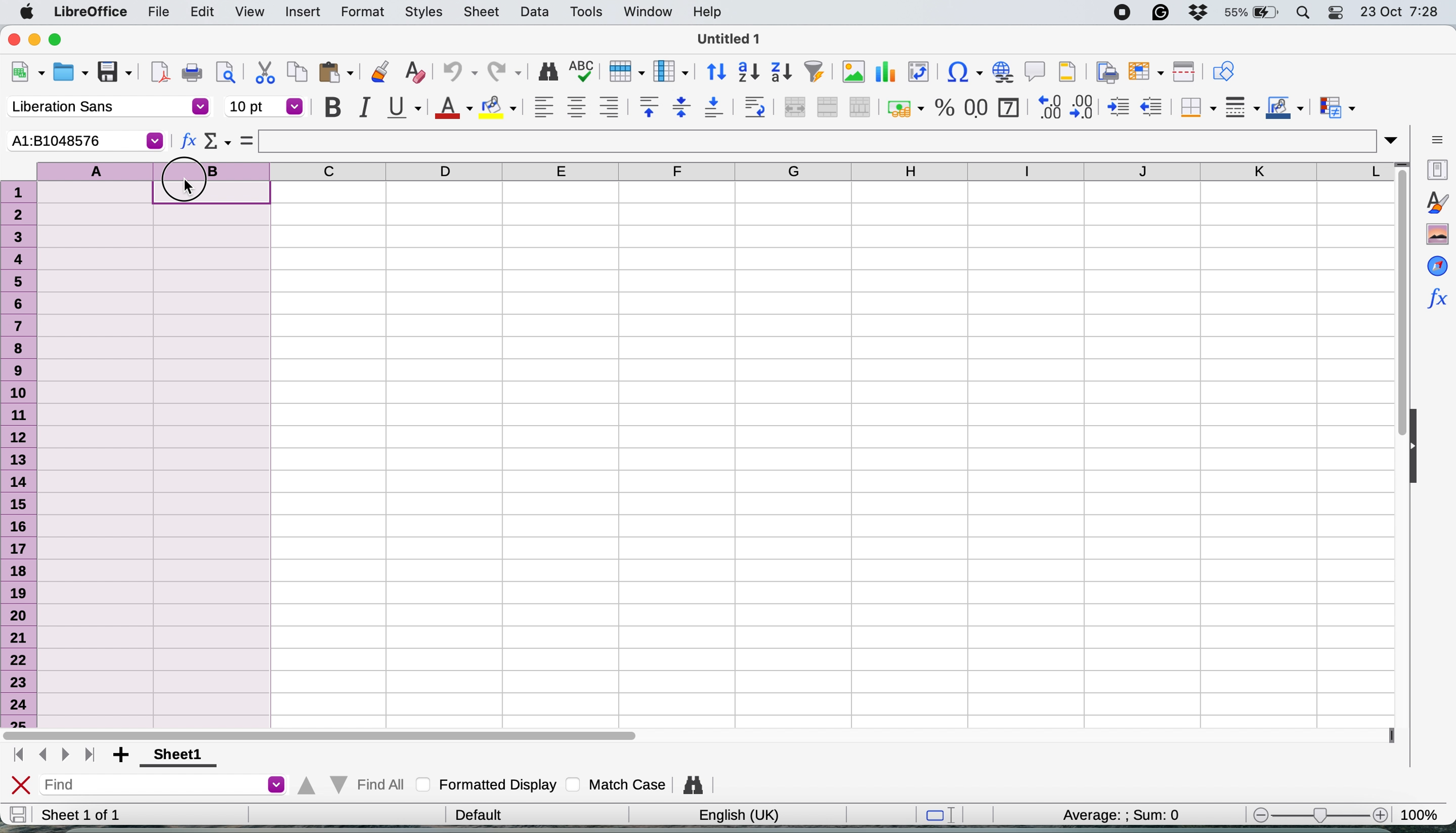 Image resolution: width=1456 pixels, height=833 pixels. What do you see at coordinates (1333, 105) in the screenshot?
I see `conditional` at bounding box center [1333, 105].